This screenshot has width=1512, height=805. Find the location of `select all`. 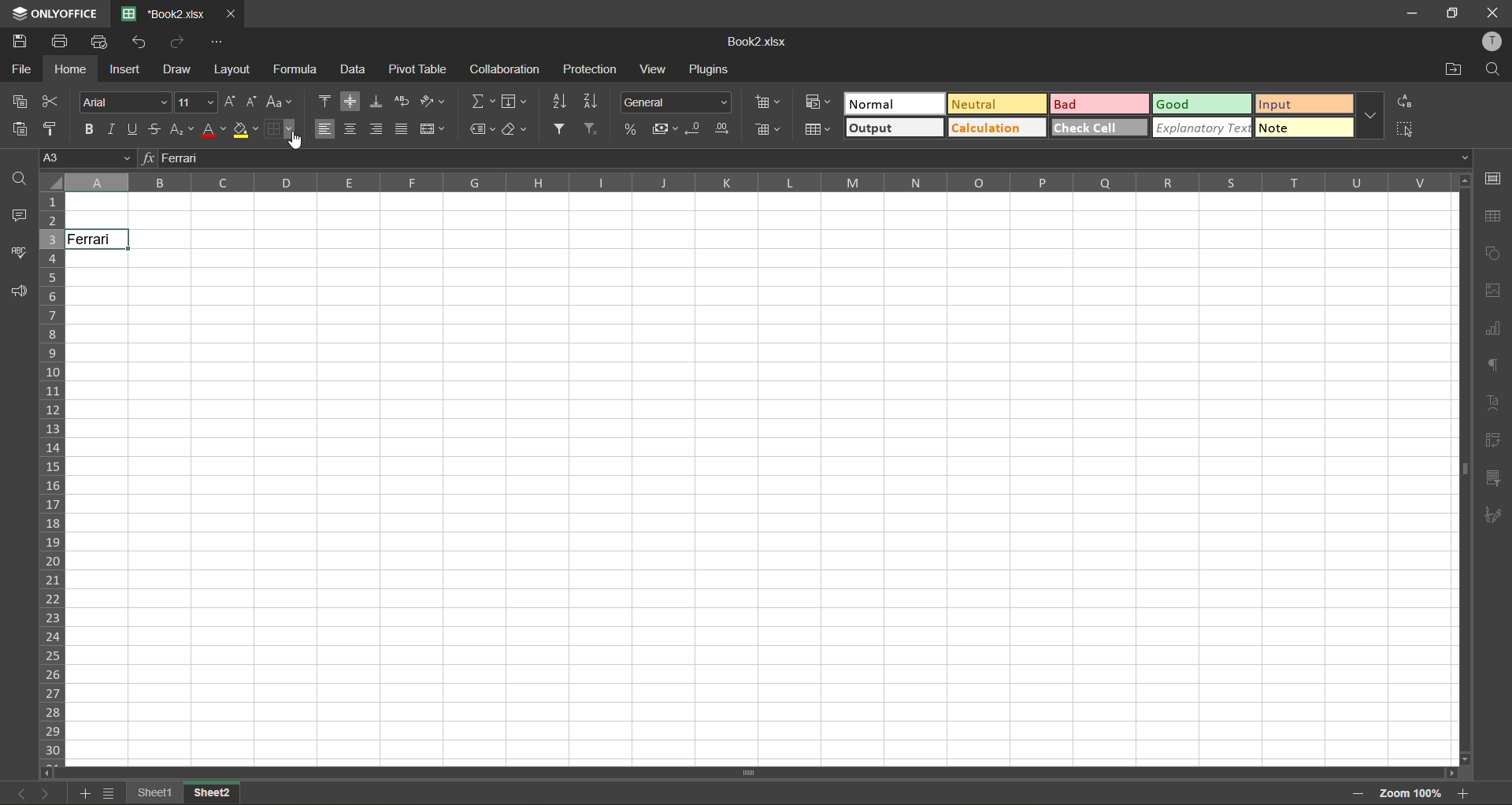

select all is located at coordinates (1403, 130).